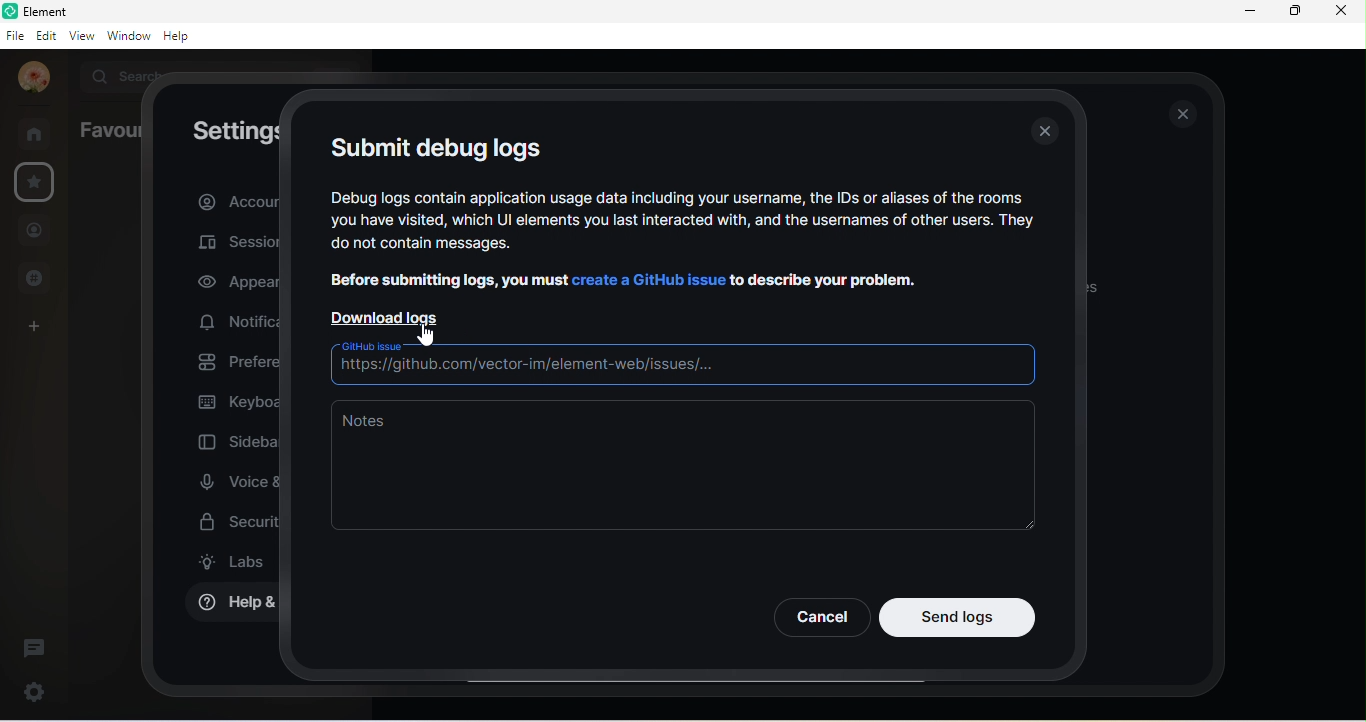 The width and height of the screenshot is (1366, 722). Describe the element at coordinates (178, 36) in the screenshot. I see `help` at that location.